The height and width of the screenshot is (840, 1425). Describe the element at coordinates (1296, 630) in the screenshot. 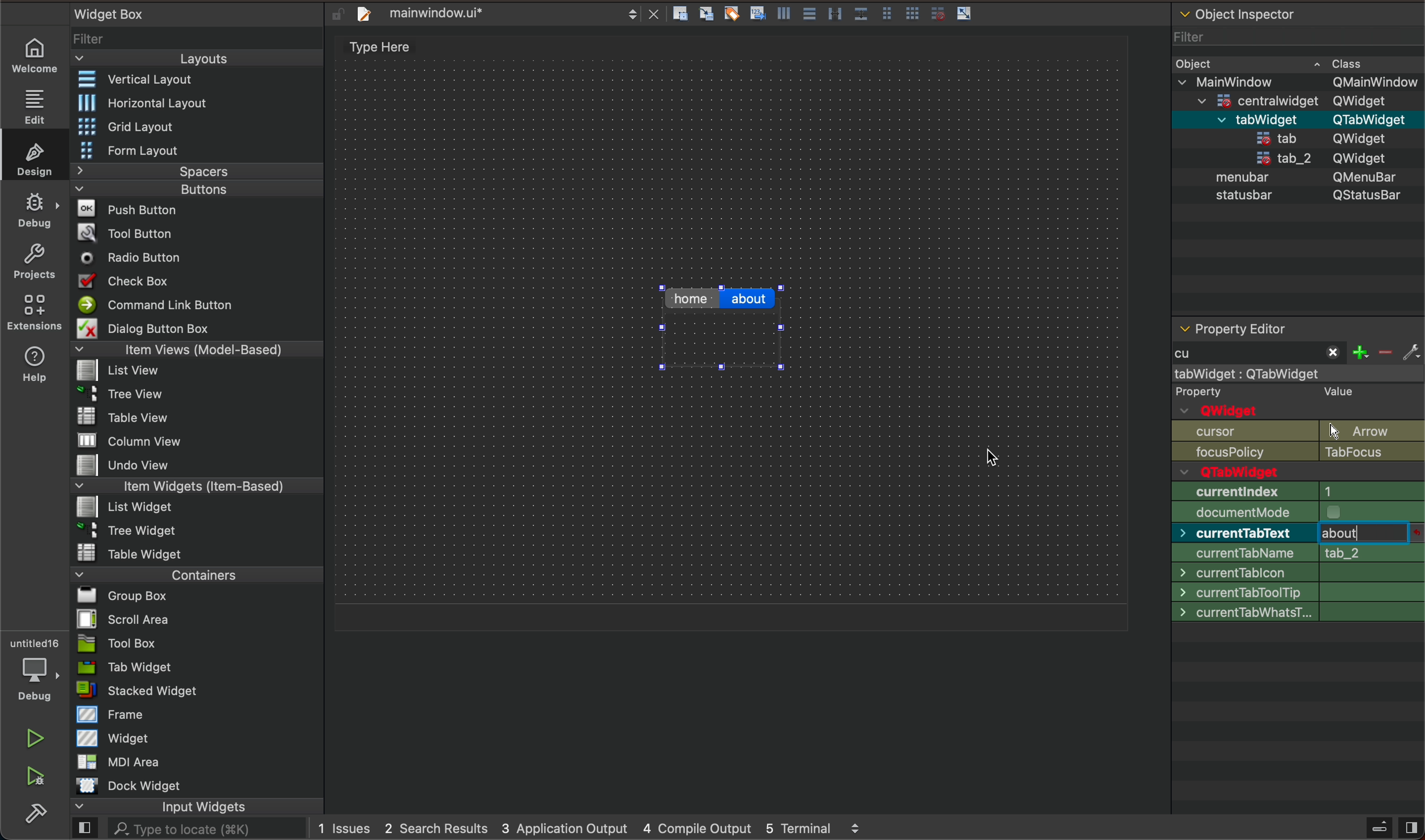

I see `font` at that location.